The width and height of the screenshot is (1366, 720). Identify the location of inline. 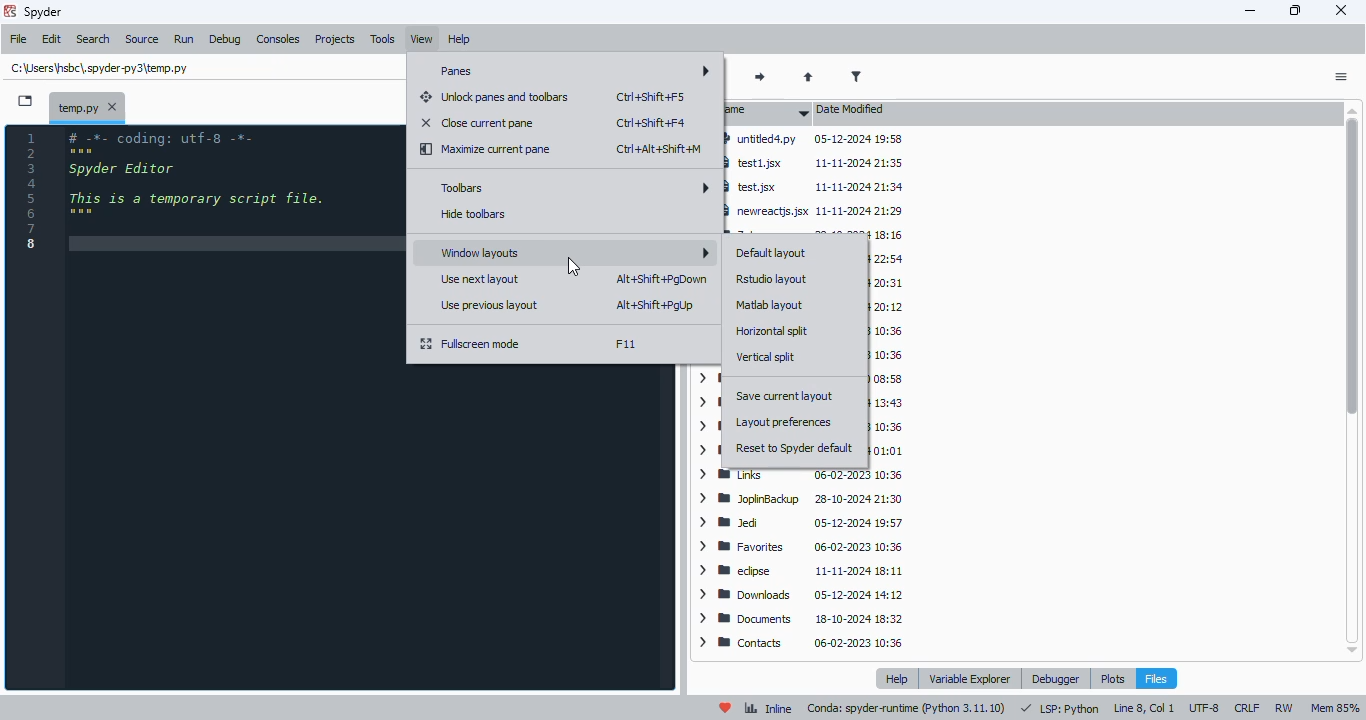
(768, 709).